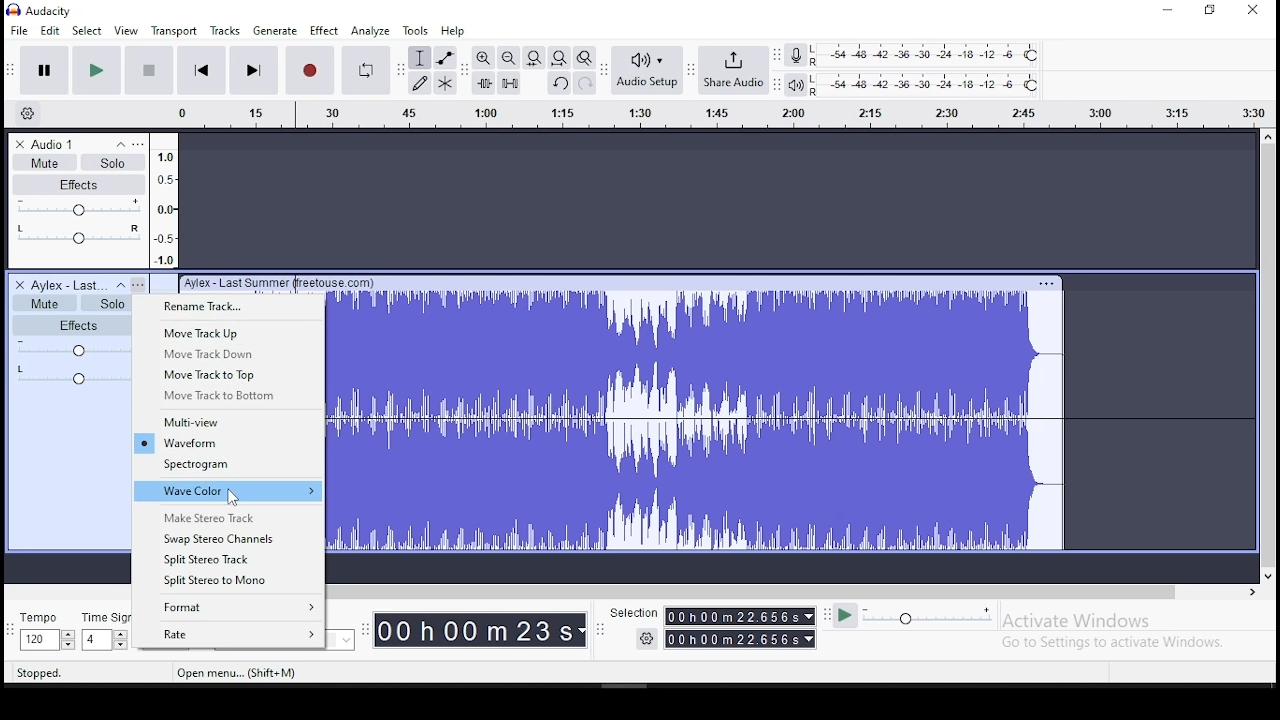  Describe the element at coordinates (227, 634) in the screenshot. I see `rate` at that location.